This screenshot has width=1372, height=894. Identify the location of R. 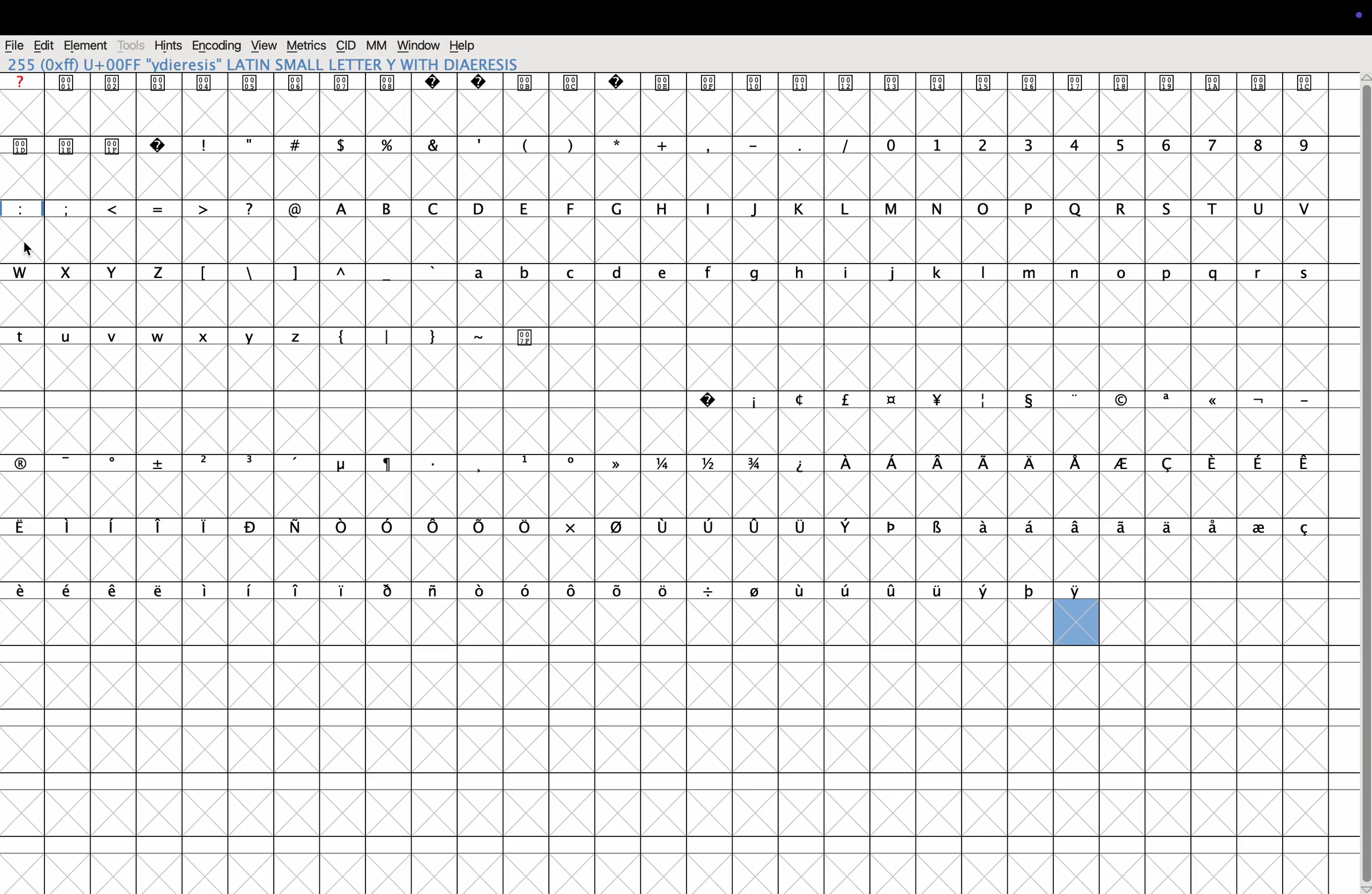
(1125, 227).